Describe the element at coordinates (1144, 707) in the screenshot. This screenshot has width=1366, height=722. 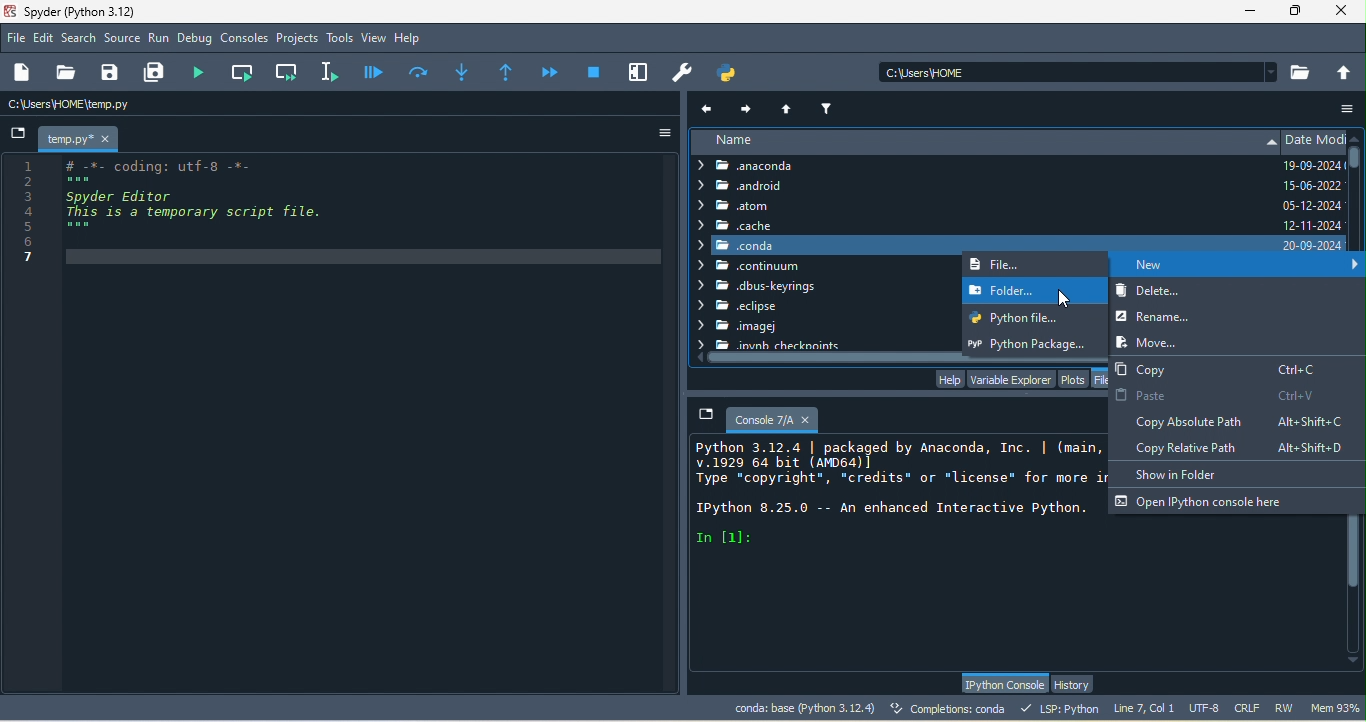
I see `line 7, col 1` at that location.